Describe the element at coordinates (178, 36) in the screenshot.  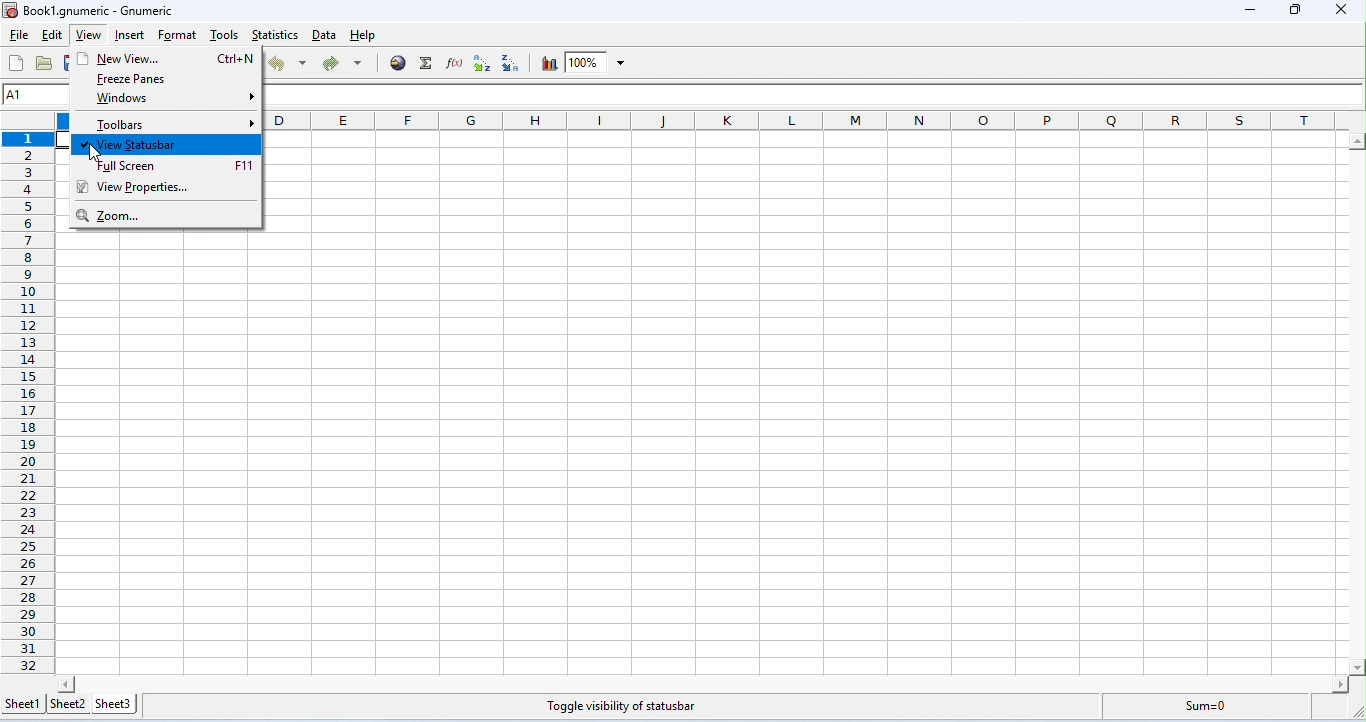
I see `format` at that location.